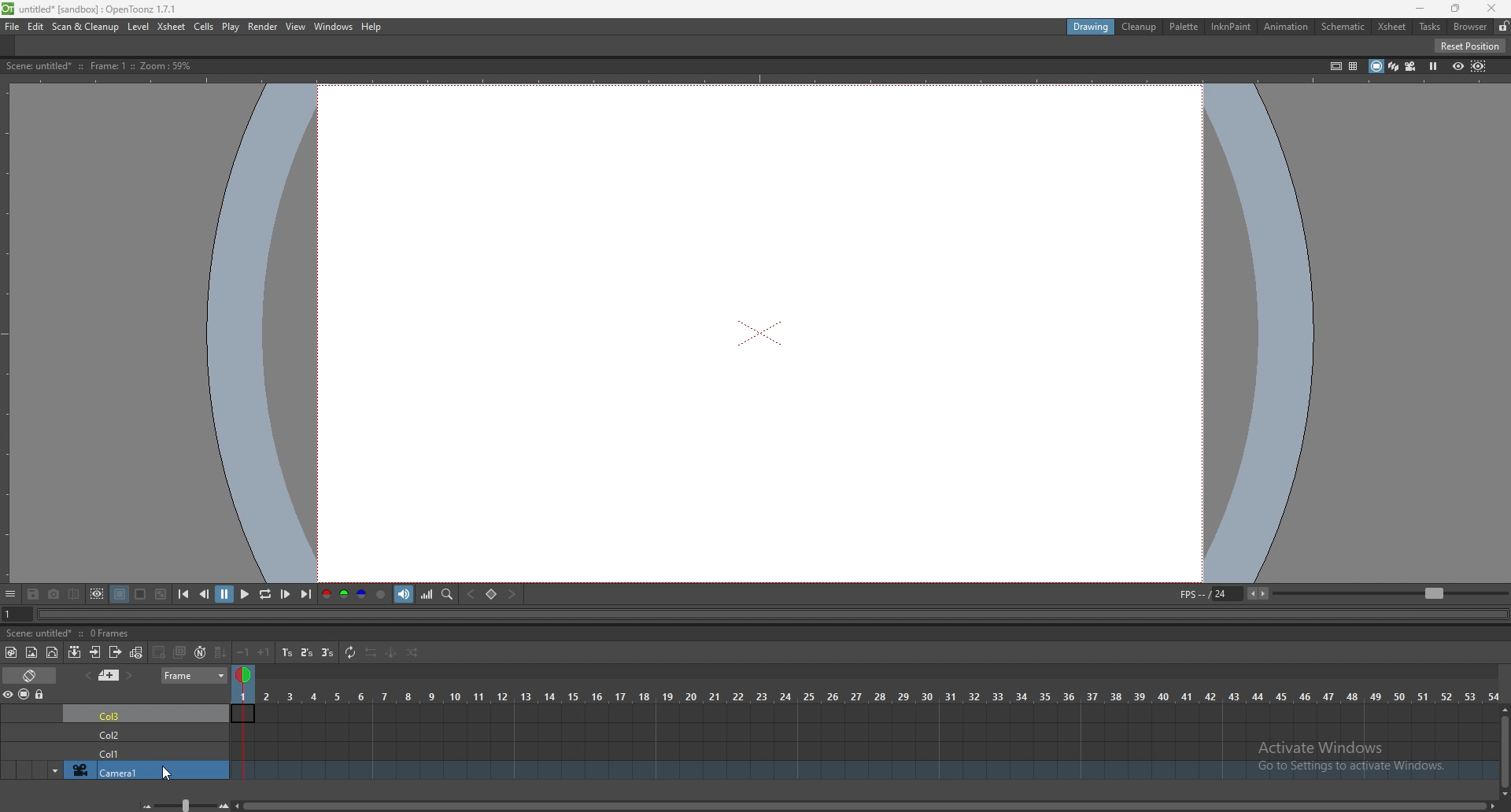 This screenshot has height=812, width=1511. What do you see at coordinates (1435, 65) in the screenshot?
I see `freeze` at bounding box center [1435, 65].